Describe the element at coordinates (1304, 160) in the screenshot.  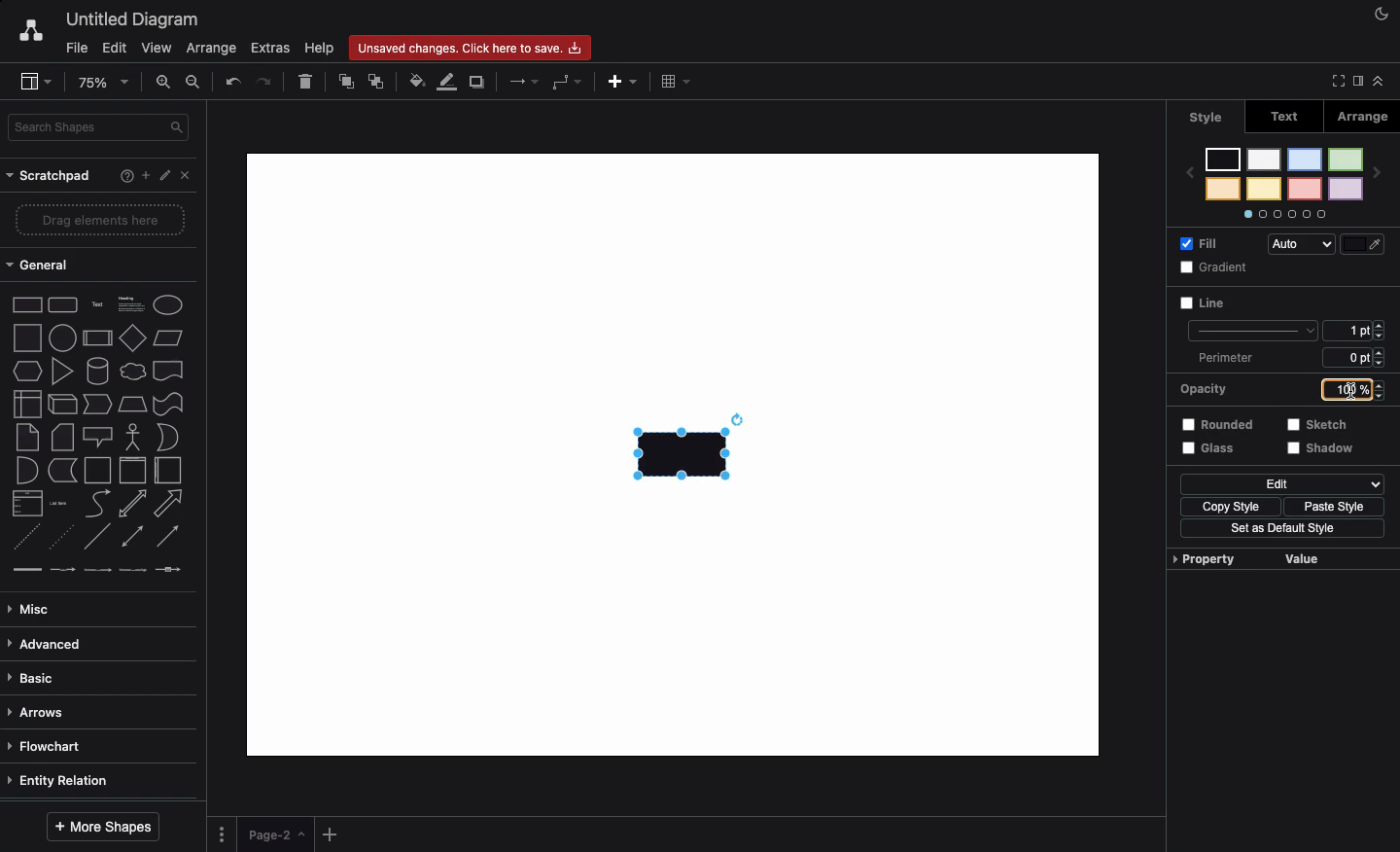
I see `color 3` at that location.